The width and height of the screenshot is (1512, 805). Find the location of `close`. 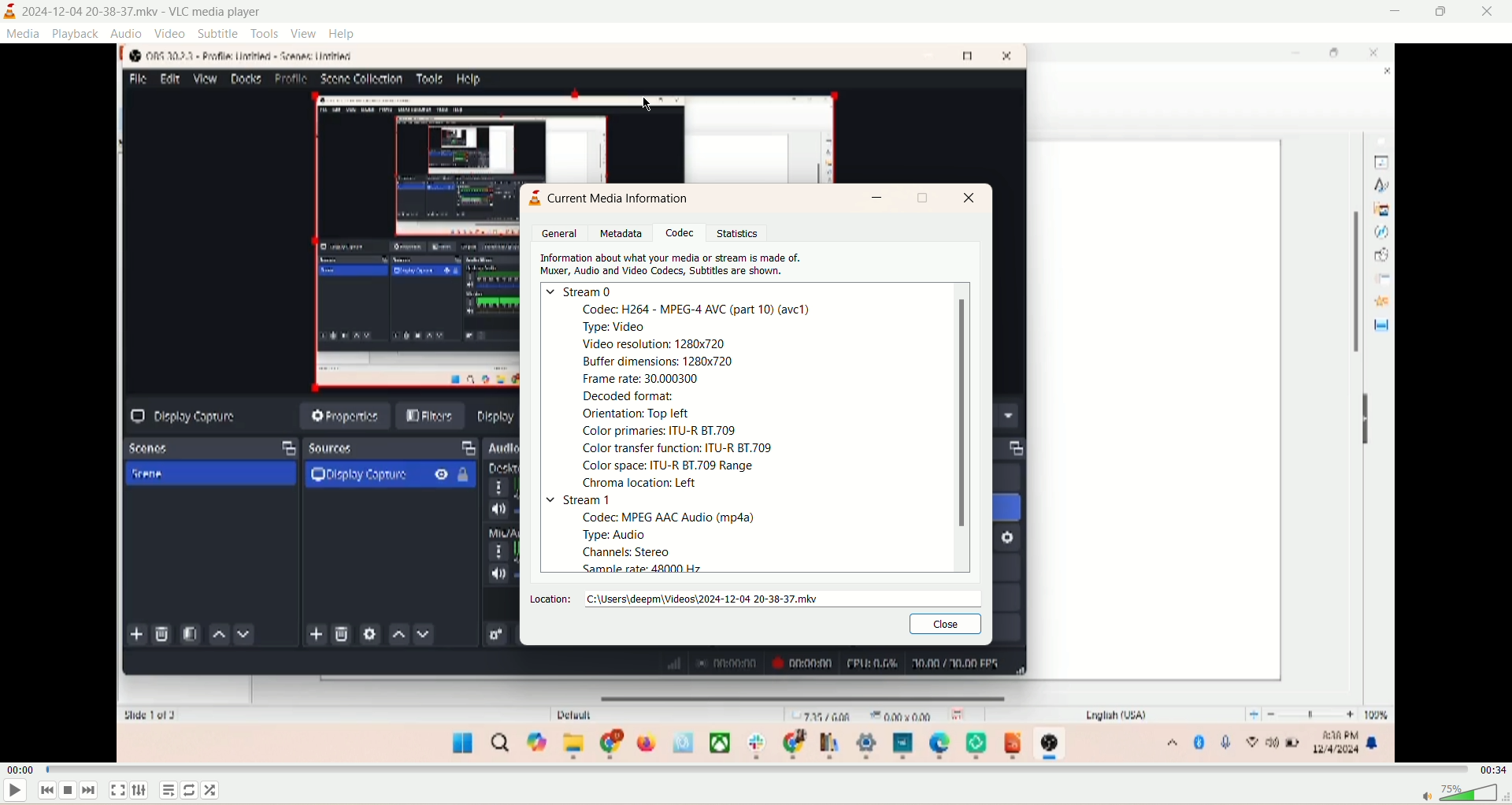

close is located at coordinates (969, 199).